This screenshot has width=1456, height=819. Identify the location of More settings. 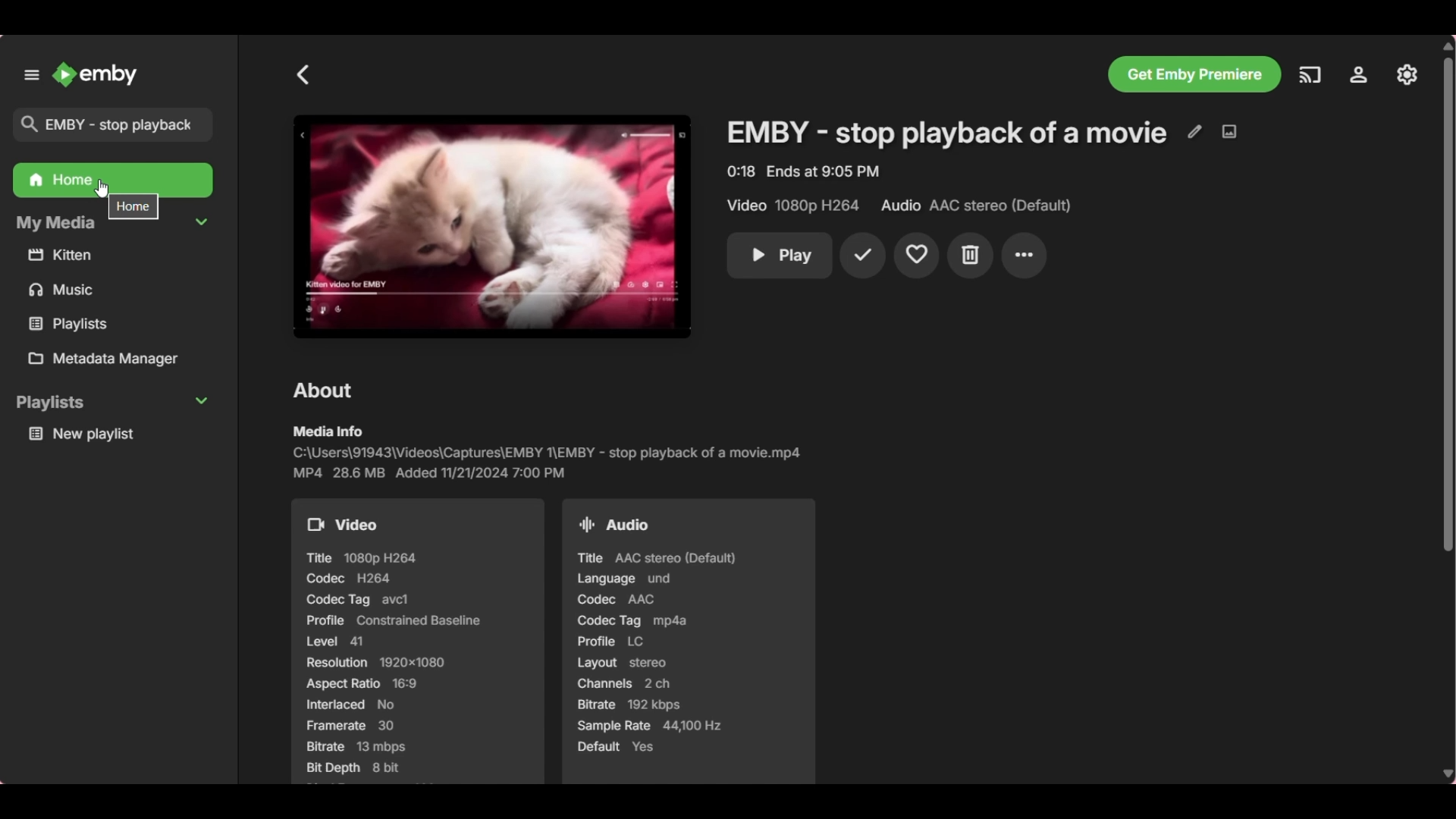
(1025, 256).